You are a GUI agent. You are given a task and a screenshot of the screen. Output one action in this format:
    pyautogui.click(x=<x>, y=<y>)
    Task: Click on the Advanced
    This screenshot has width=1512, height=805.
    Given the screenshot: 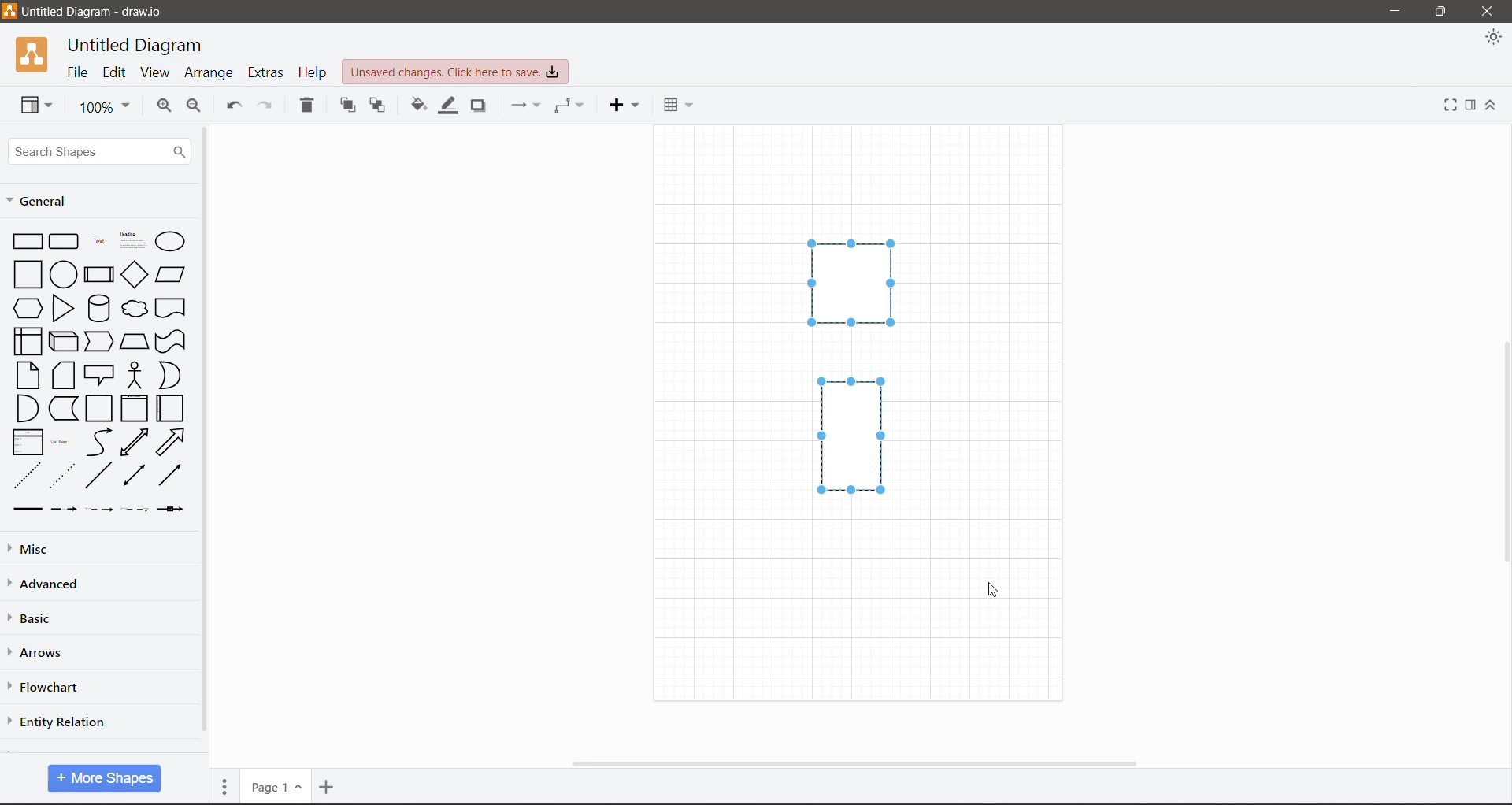 What is the action you would take?
    pyautogui.click(x=54, y=584)
    